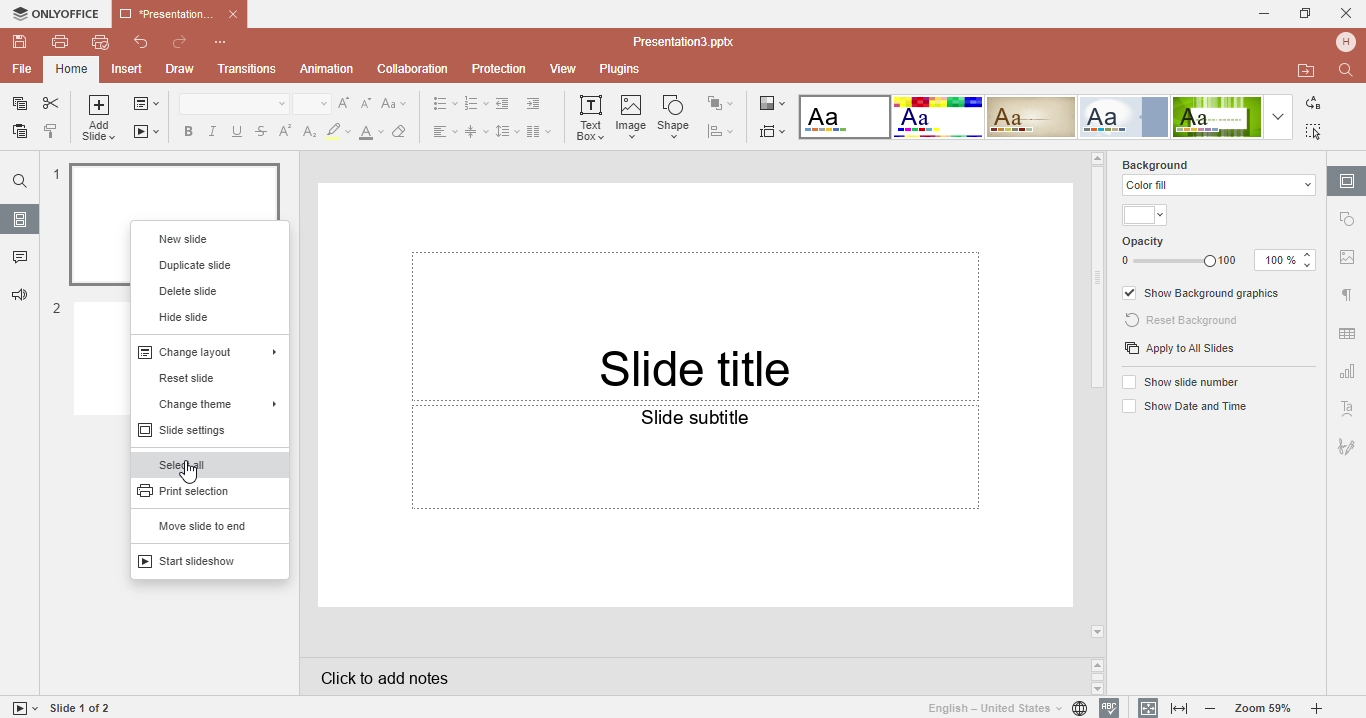  I want to click on Opacity, so click(1220, 253).